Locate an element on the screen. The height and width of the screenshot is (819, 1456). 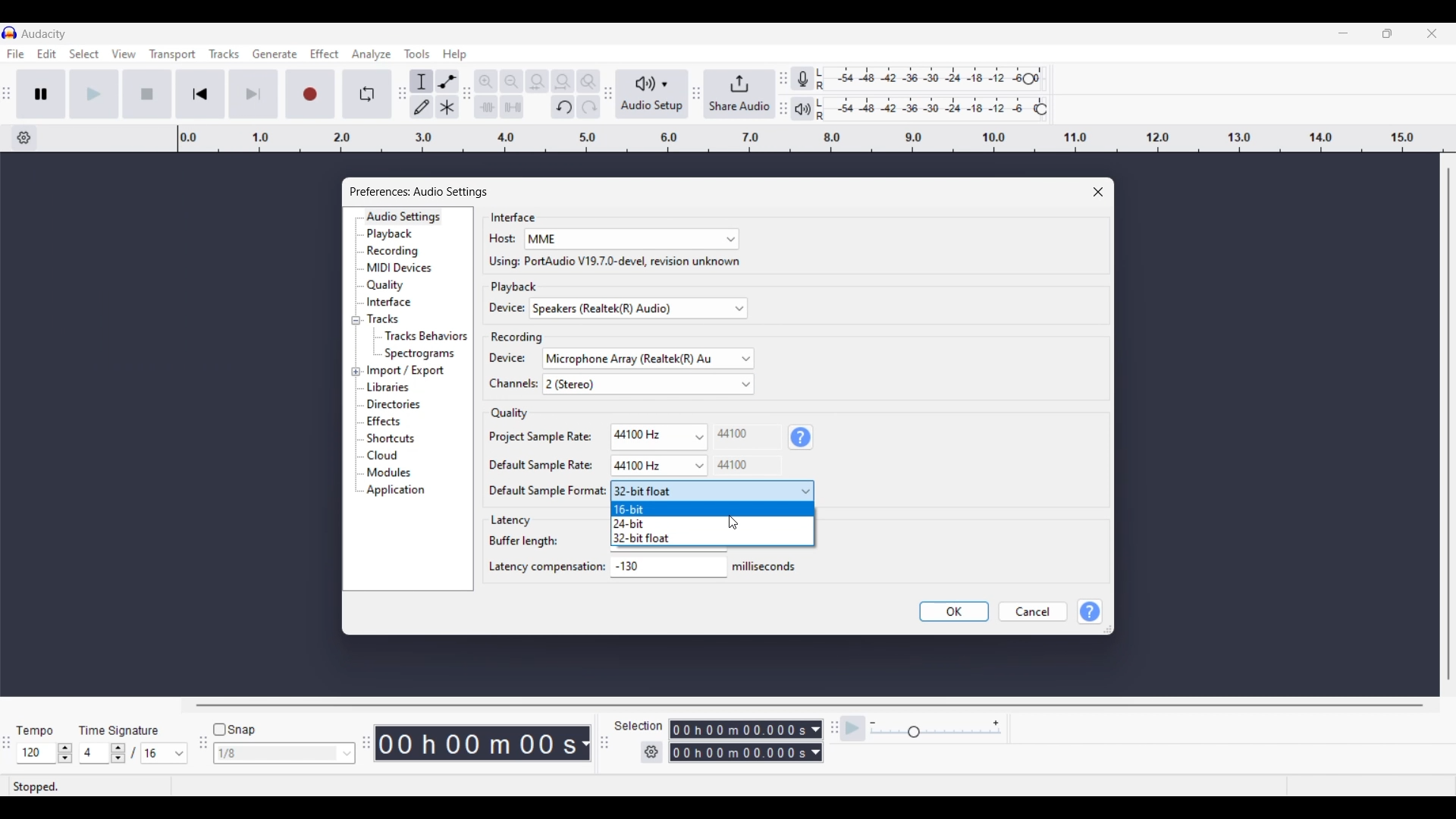
Selected time signature is located at coordinates (156, 754).